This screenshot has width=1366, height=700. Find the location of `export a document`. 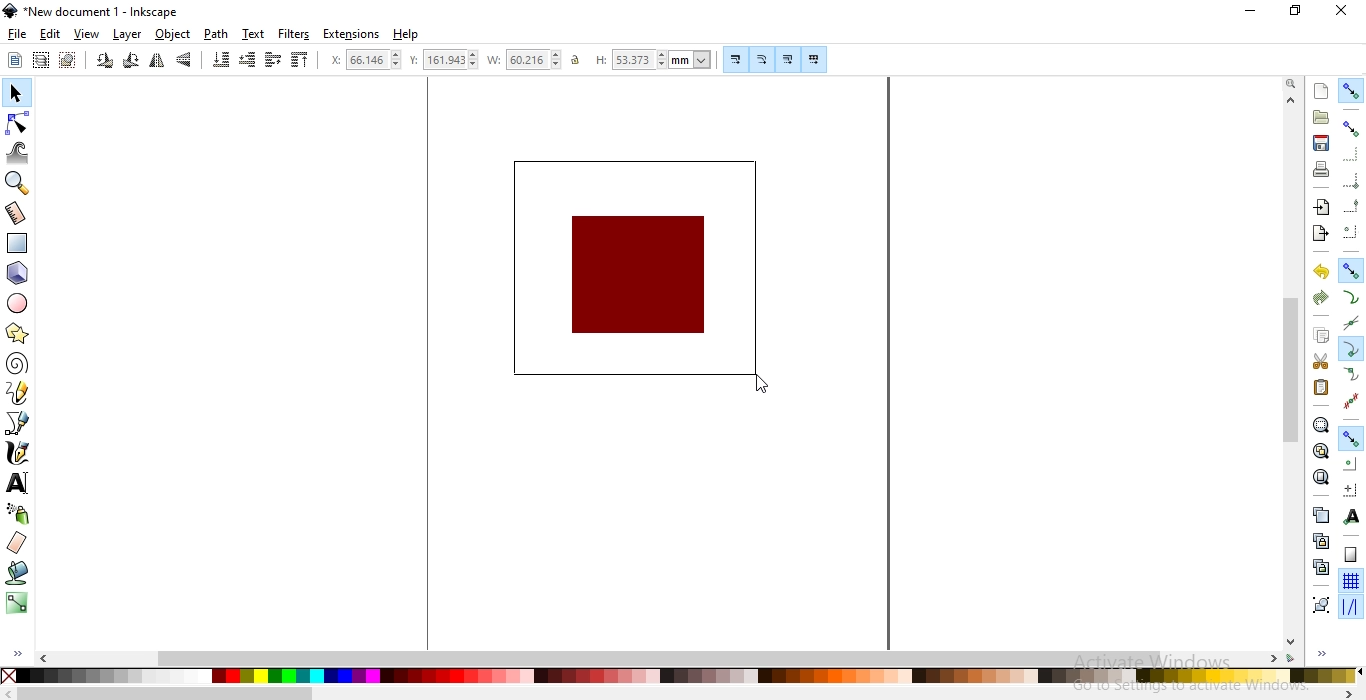

export a document is located at coordinates (1324, 232).